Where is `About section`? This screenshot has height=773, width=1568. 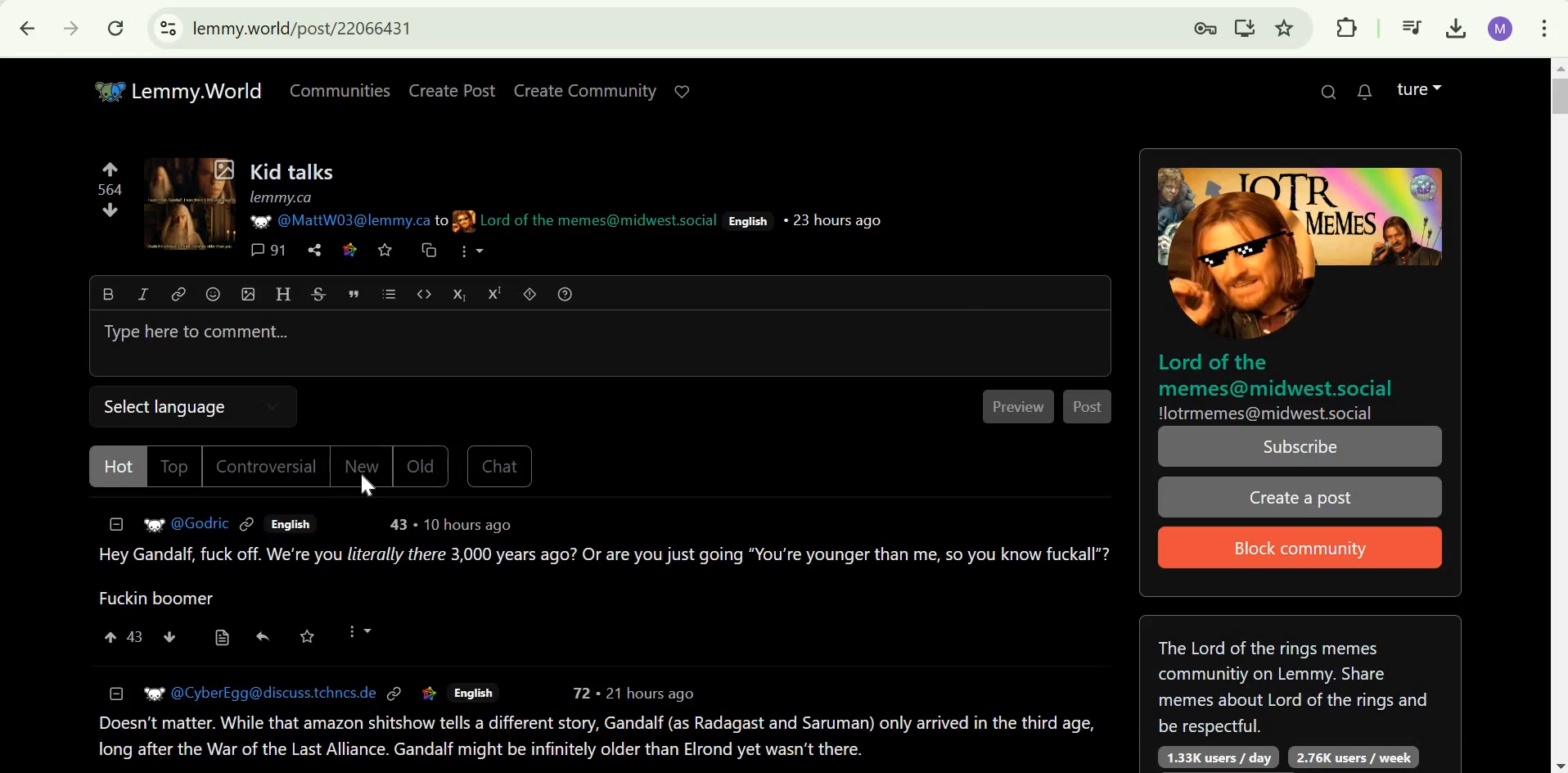
About section is located at coordinates (1295, 682).